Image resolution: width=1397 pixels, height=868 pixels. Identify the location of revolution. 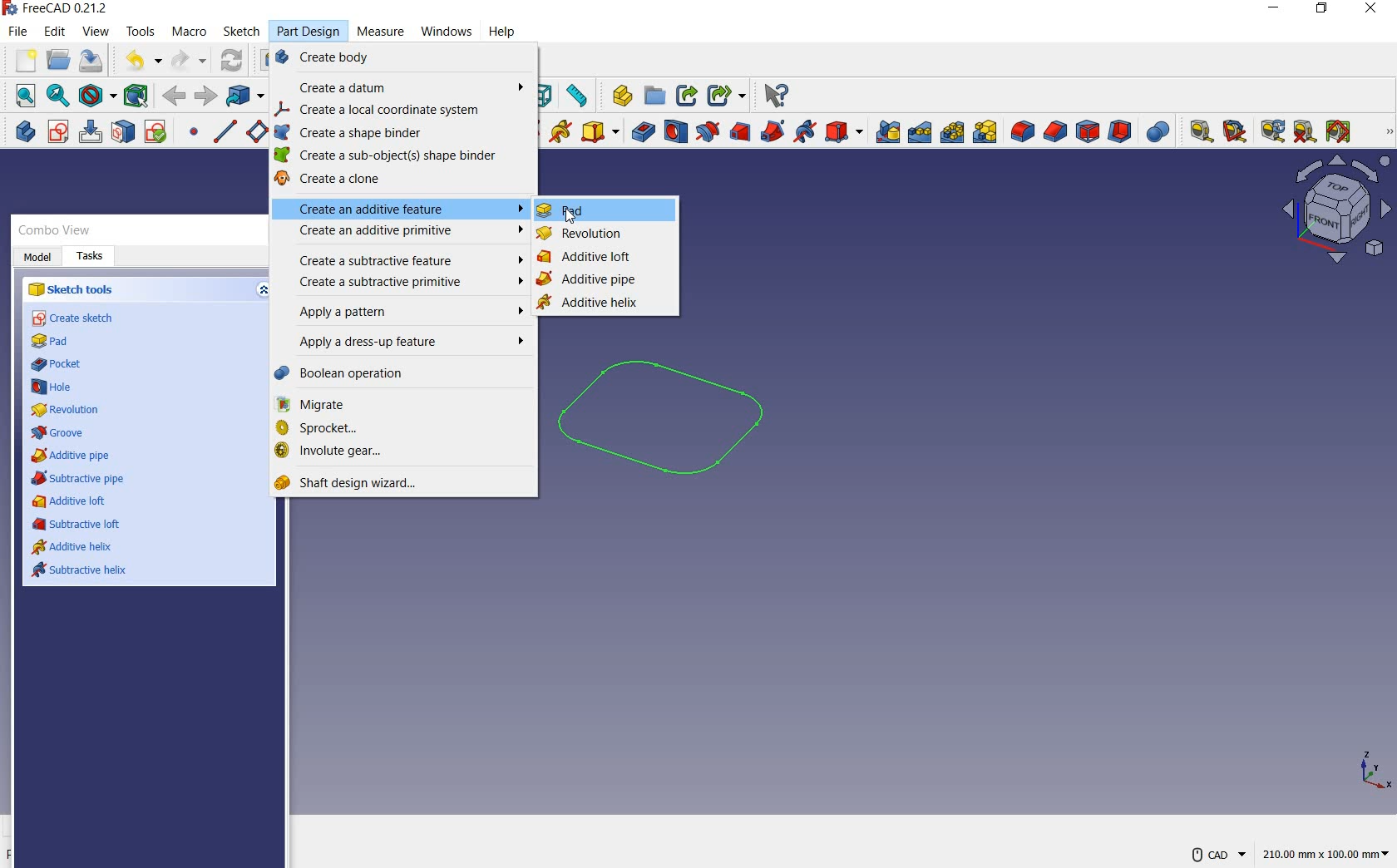
(584, 234).